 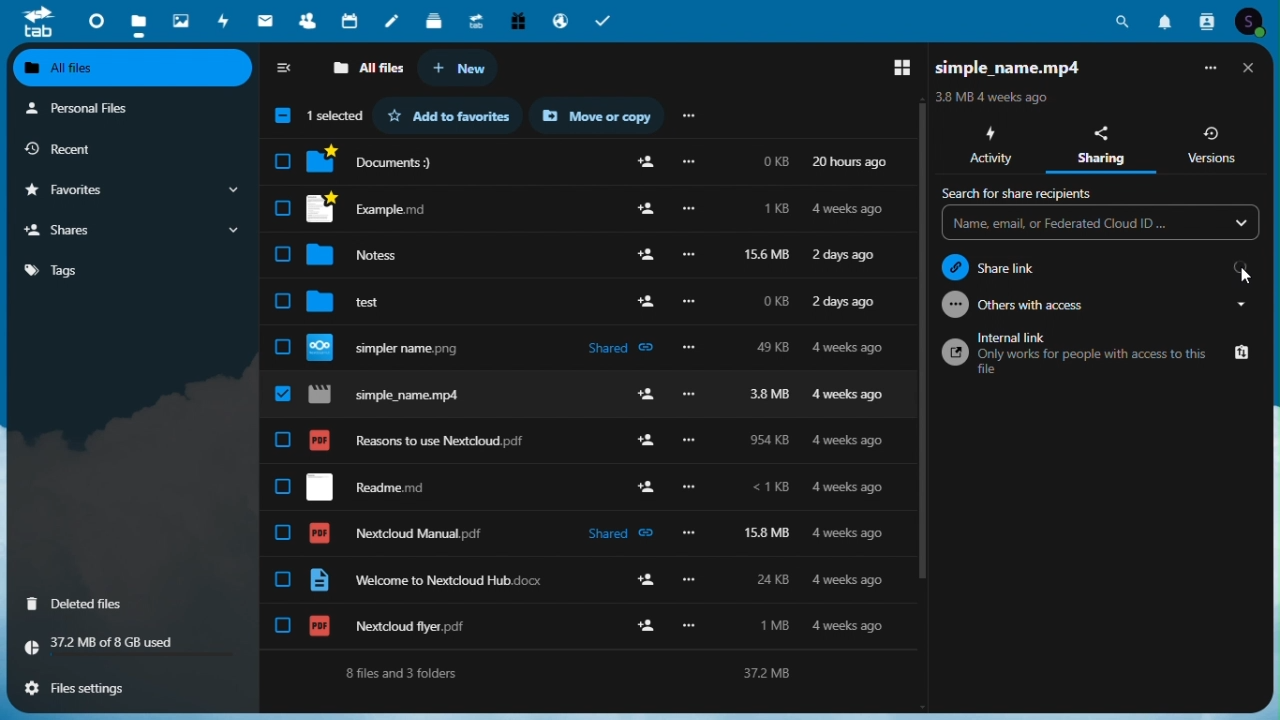 I want to click on Last modified date, so click(x=995, y=96).